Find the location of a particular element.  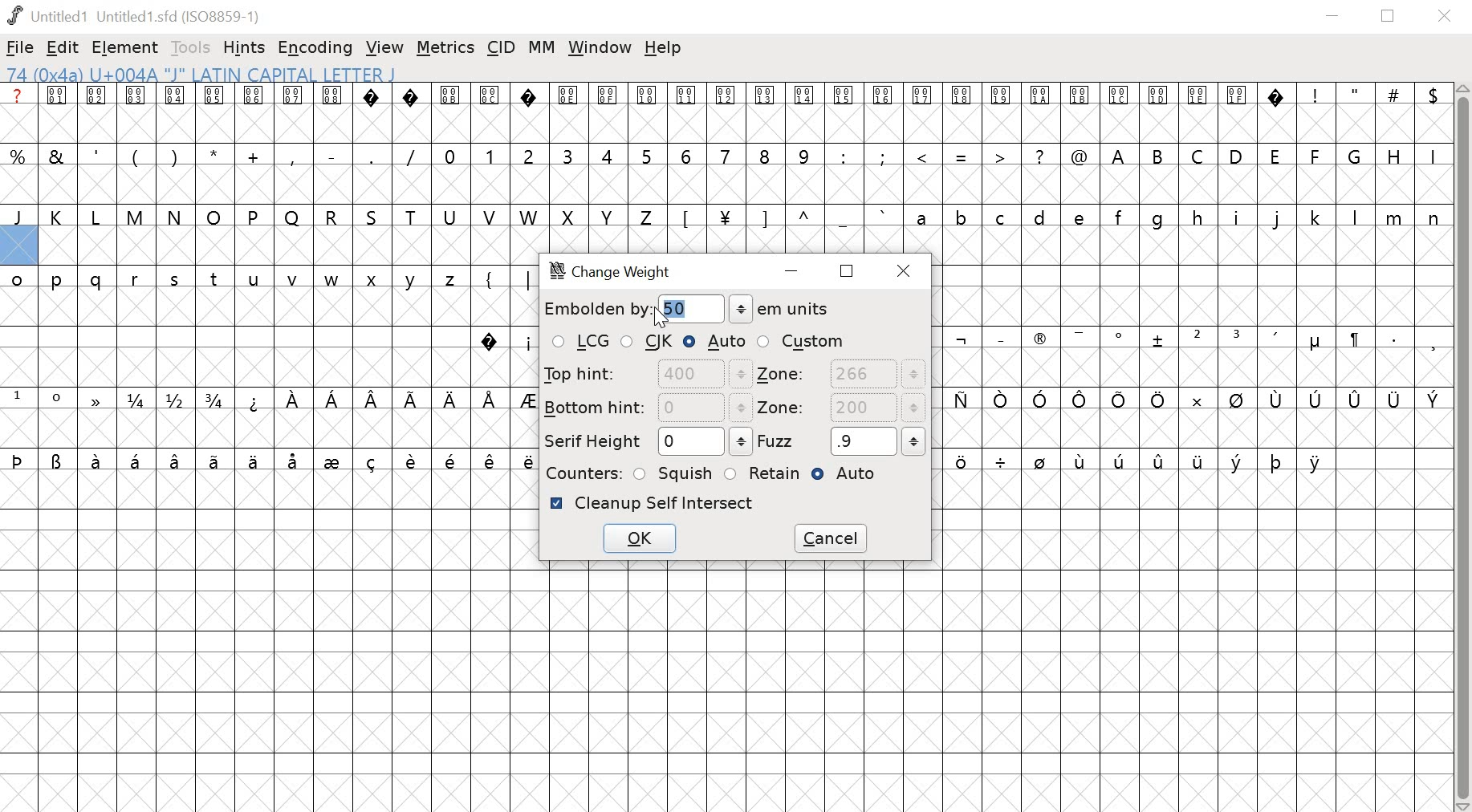

symbols is located at coordinates (390, 400).